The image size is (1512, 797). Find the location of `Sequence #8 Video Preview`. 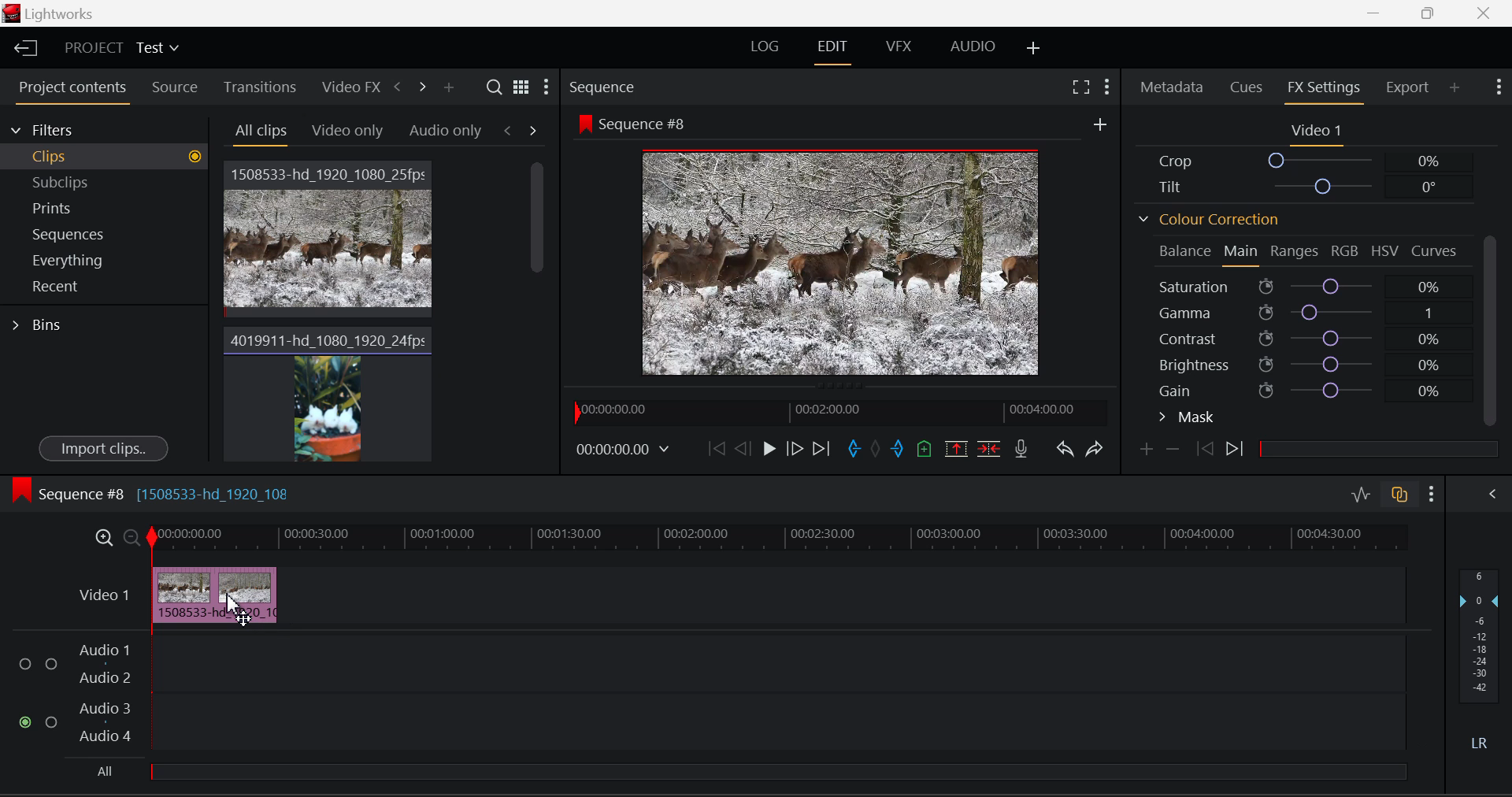

Sequence #8 Video Preview is located at coordinates (840, 263).